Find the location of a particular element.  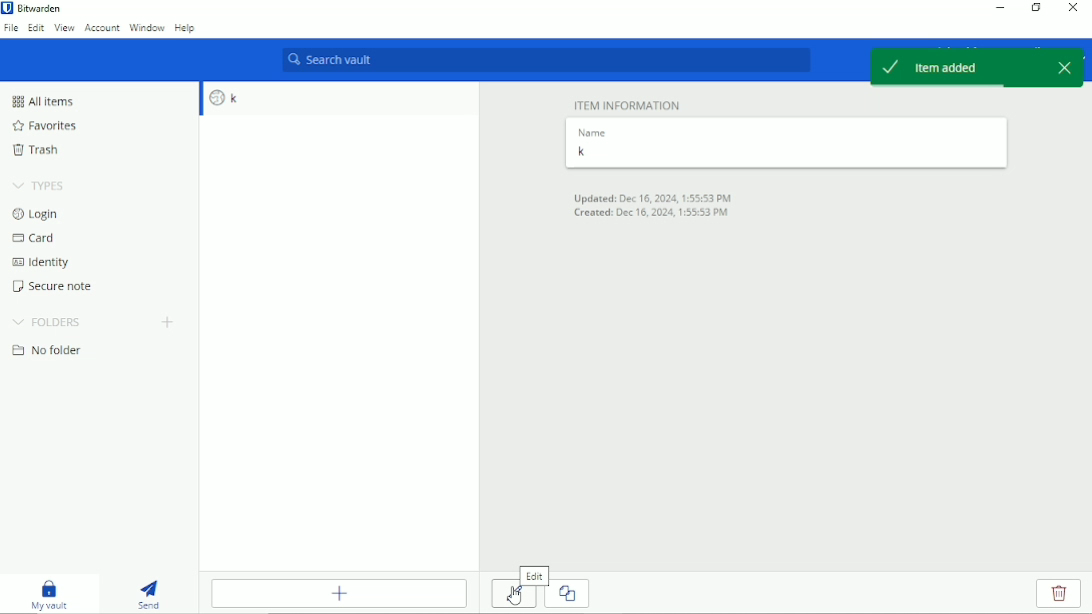

Restore down is located at coordinates (1037, 8).